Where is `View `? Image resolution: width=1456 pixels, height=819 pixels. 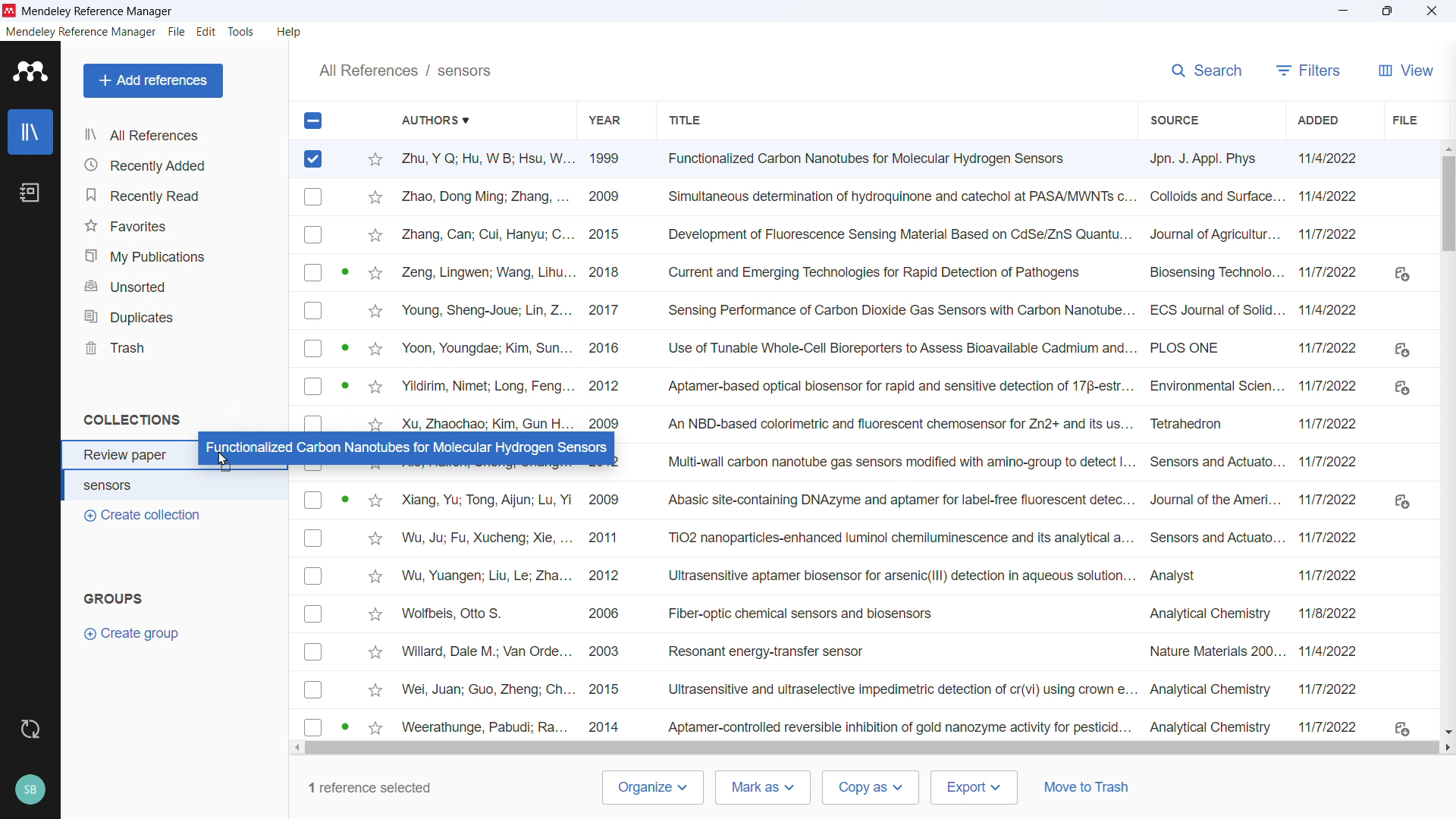 View  is located at coordinates (1403, 70).